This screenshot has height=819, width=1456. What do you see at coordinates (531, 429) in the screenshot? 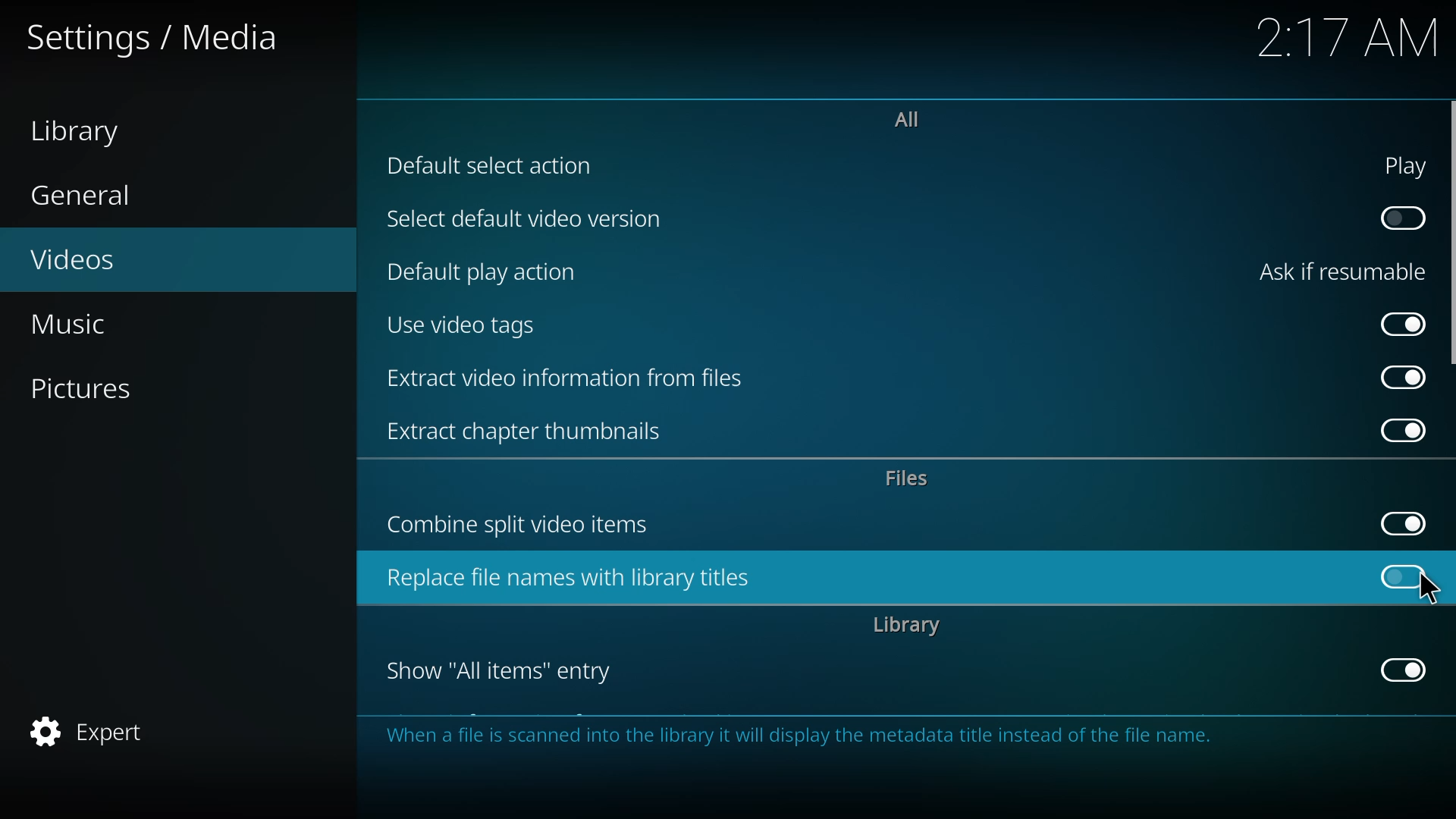
I see `extract chapter thumbnails` at bounding box center [531, 429].